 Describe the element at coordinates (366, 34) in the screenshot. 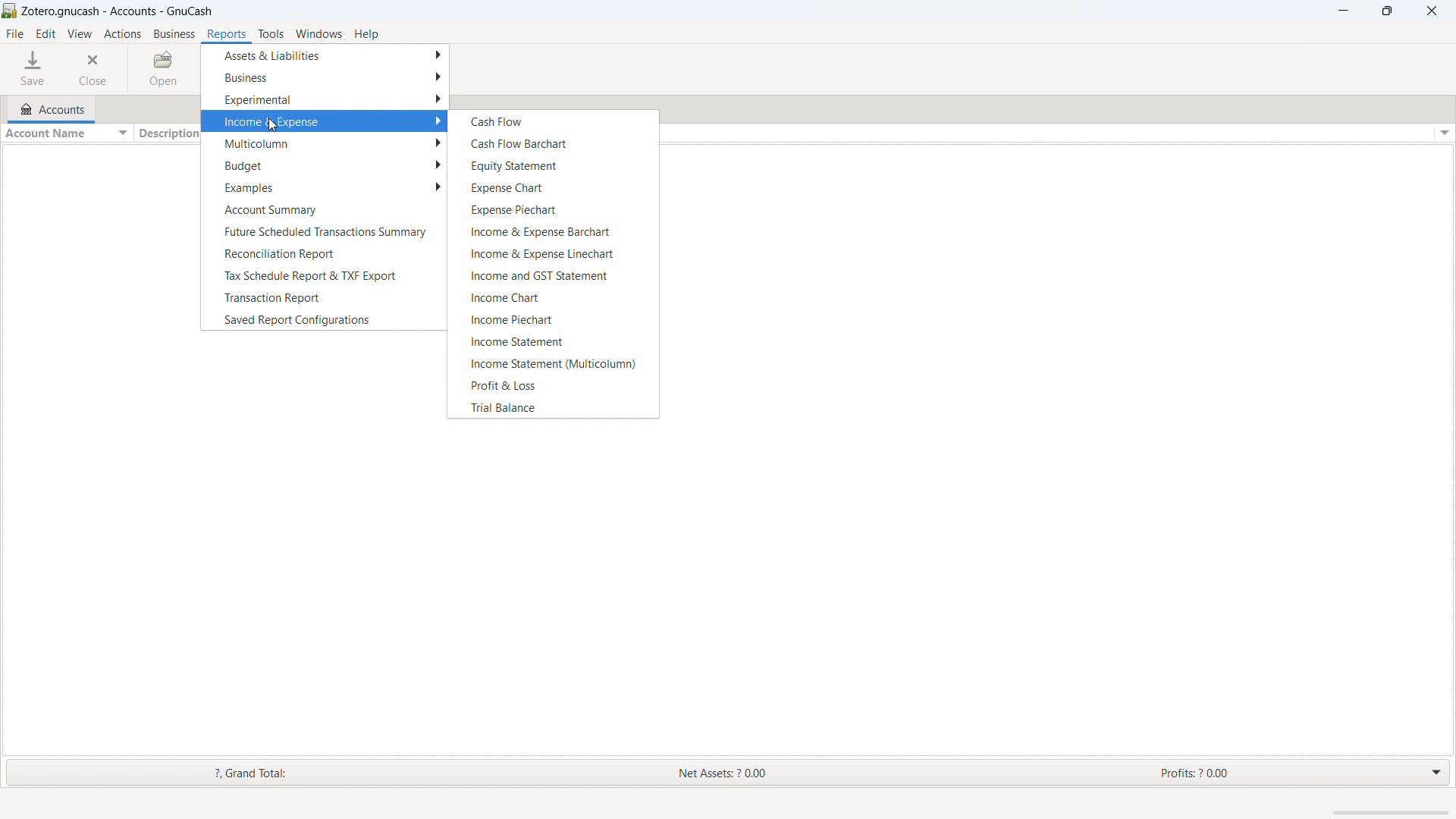

I see `help` at that location.